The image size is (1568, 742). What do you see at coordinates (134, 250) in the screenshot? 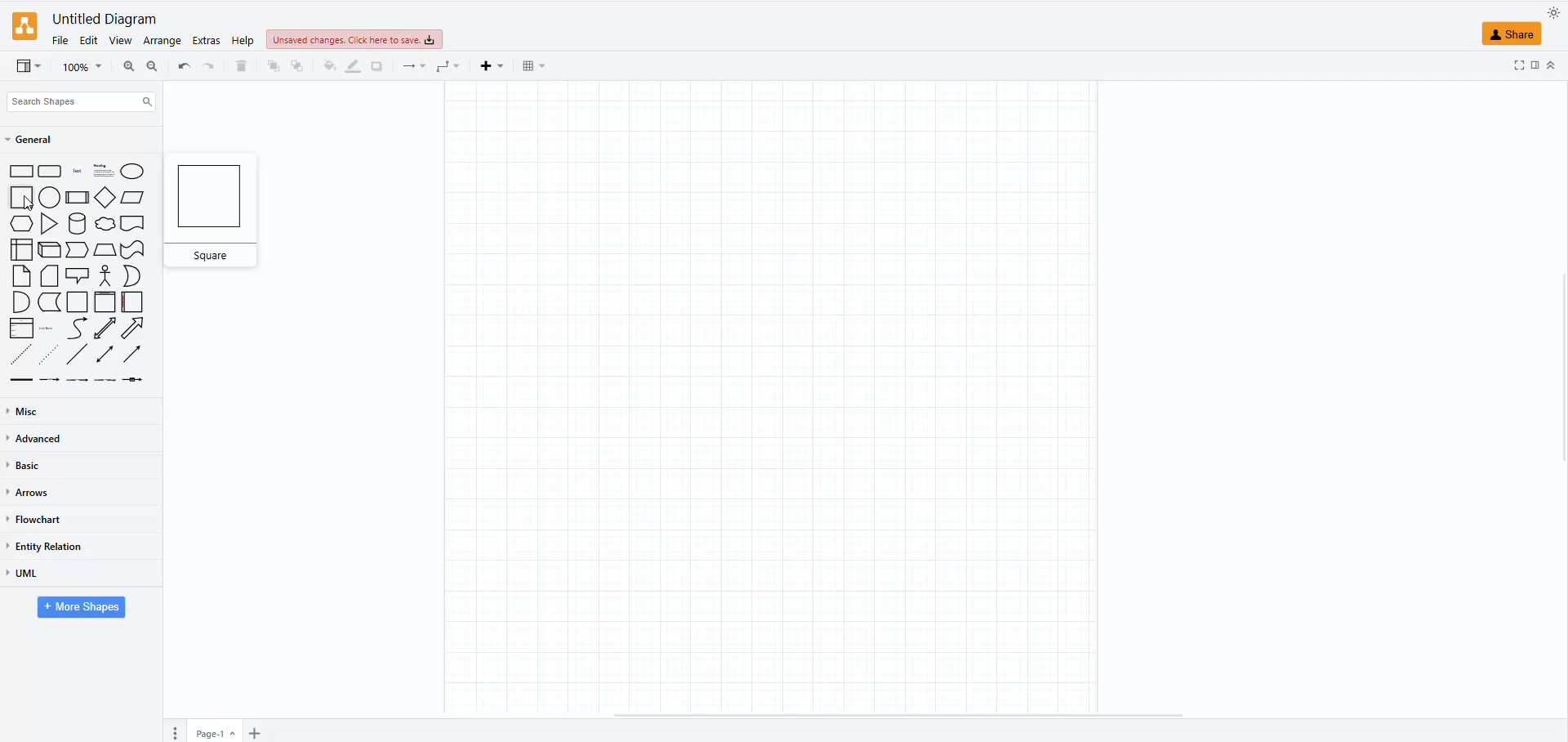
I see `tape` at bounding box center [134, 250].